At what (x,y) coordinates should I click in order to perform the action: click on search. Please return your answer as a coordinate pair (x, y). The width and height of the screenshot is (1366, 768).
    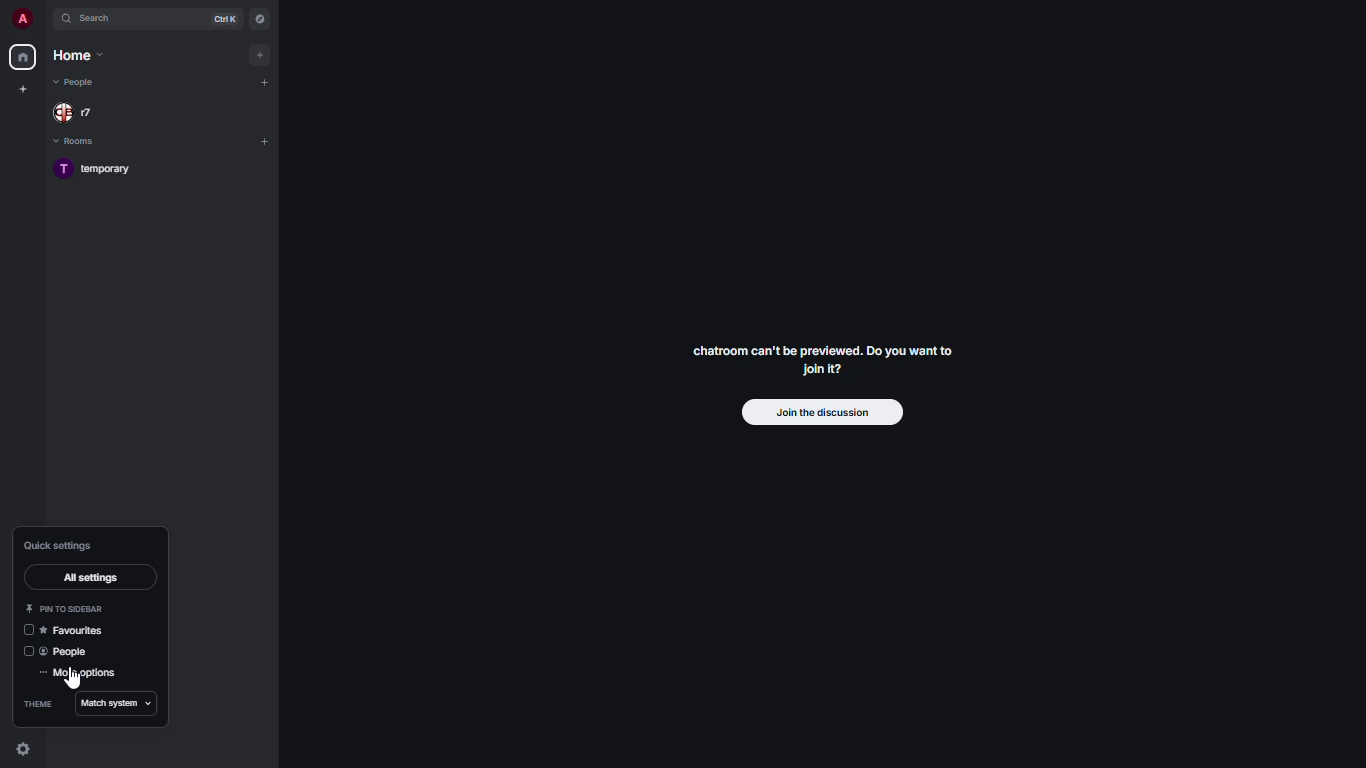
    Looking at the image, I should click on (99, 18).